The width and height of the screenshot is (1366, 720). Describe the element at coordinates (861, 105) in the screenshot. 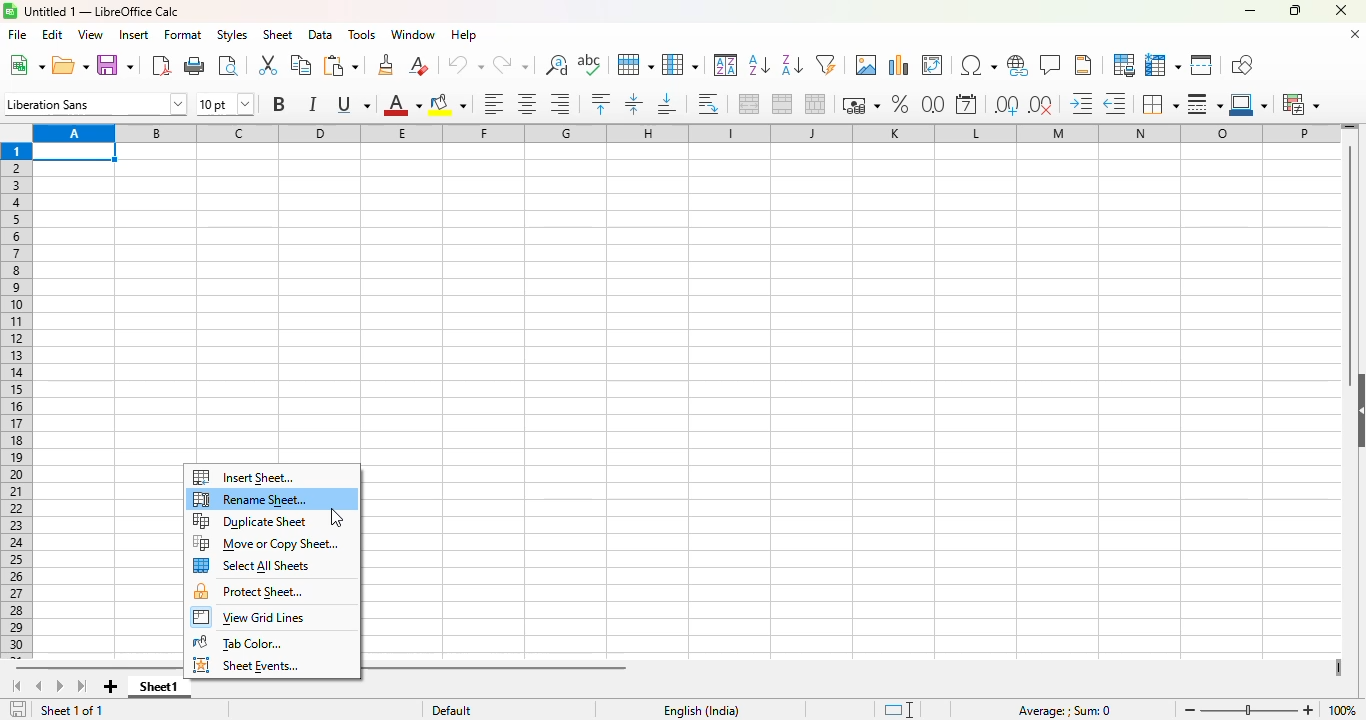

I see `format as currency` at that location.